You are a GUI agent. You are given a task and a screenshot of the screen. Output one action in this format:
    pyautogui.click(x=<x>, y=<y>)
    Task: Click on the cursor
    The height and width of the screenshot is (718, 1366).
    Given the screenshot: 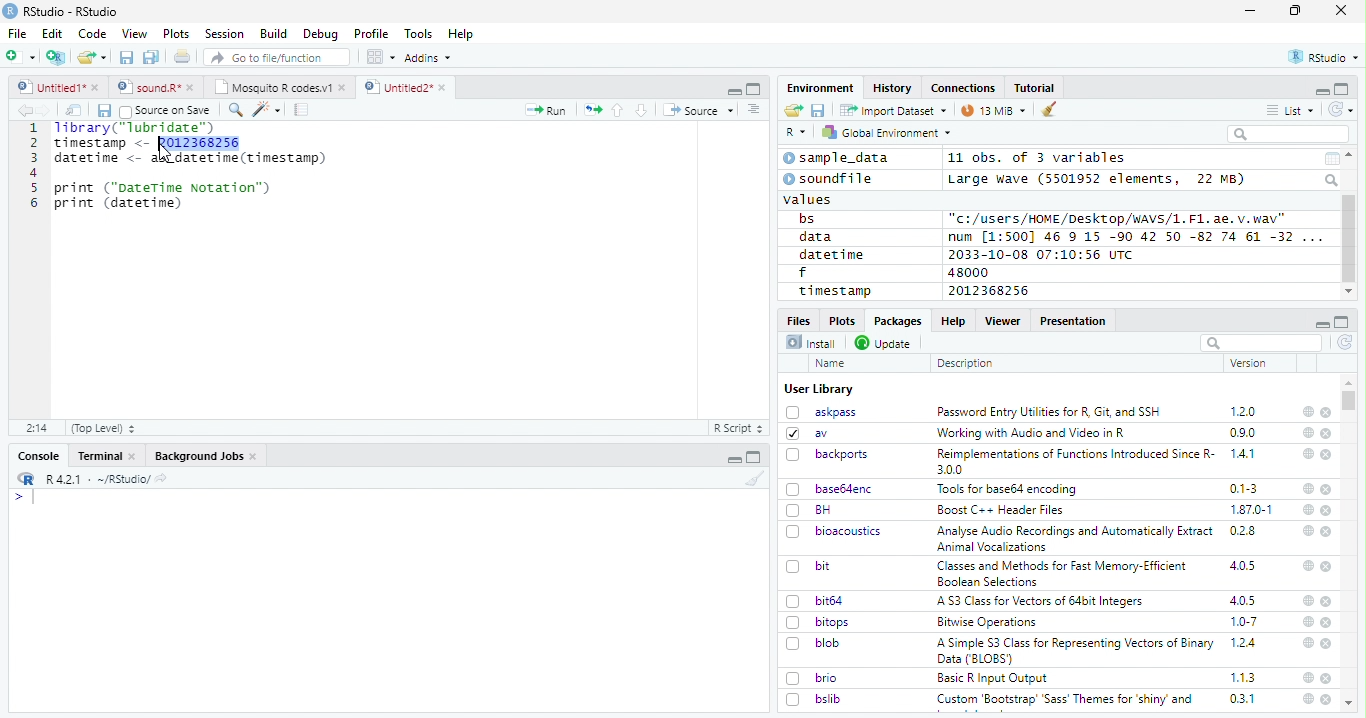 What is the action you would take?
    pyautogui.click(x=167, y=153)
    